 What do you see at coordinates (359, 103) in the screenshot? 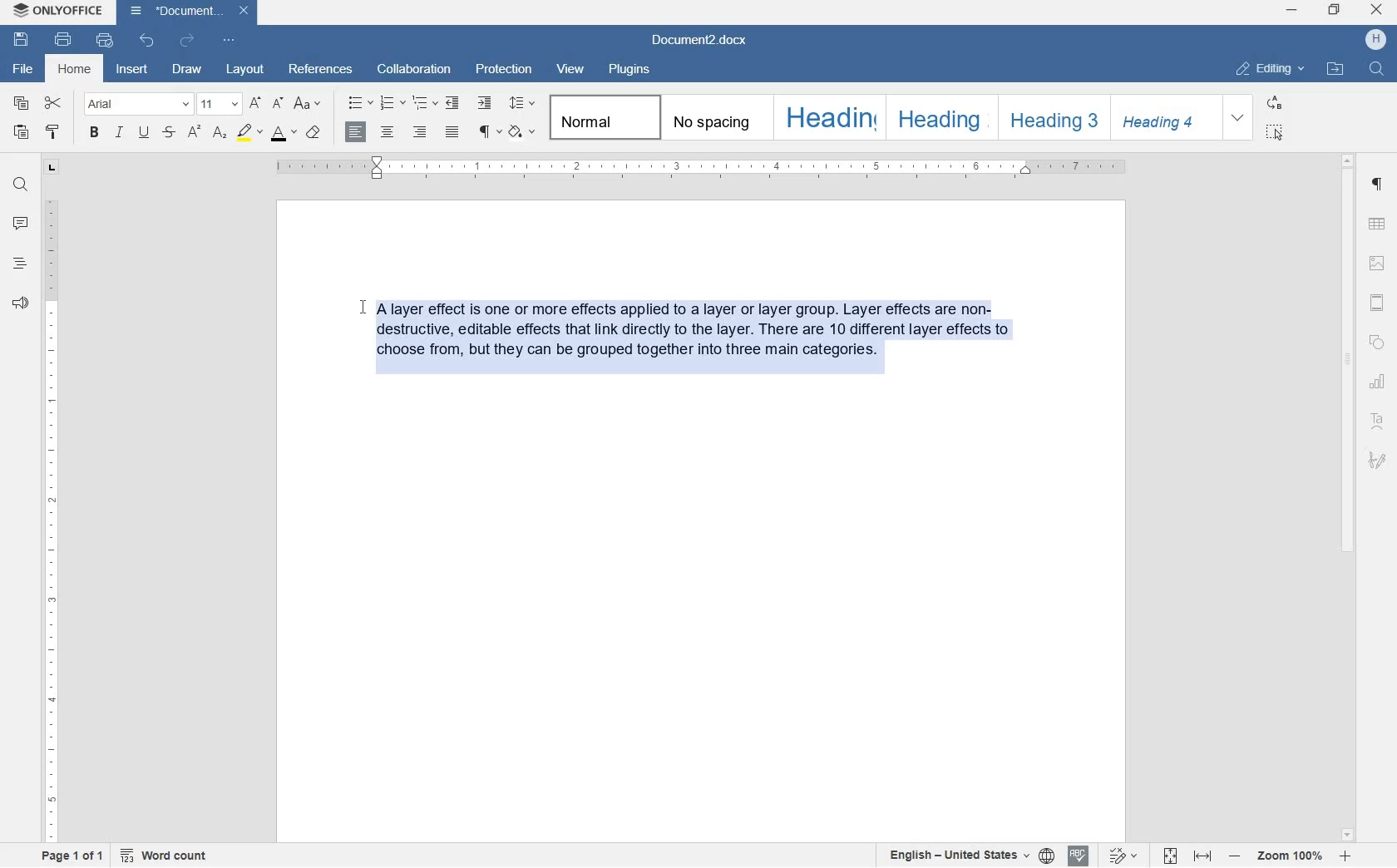
I see `bullets` at bounding box center [359, 103].